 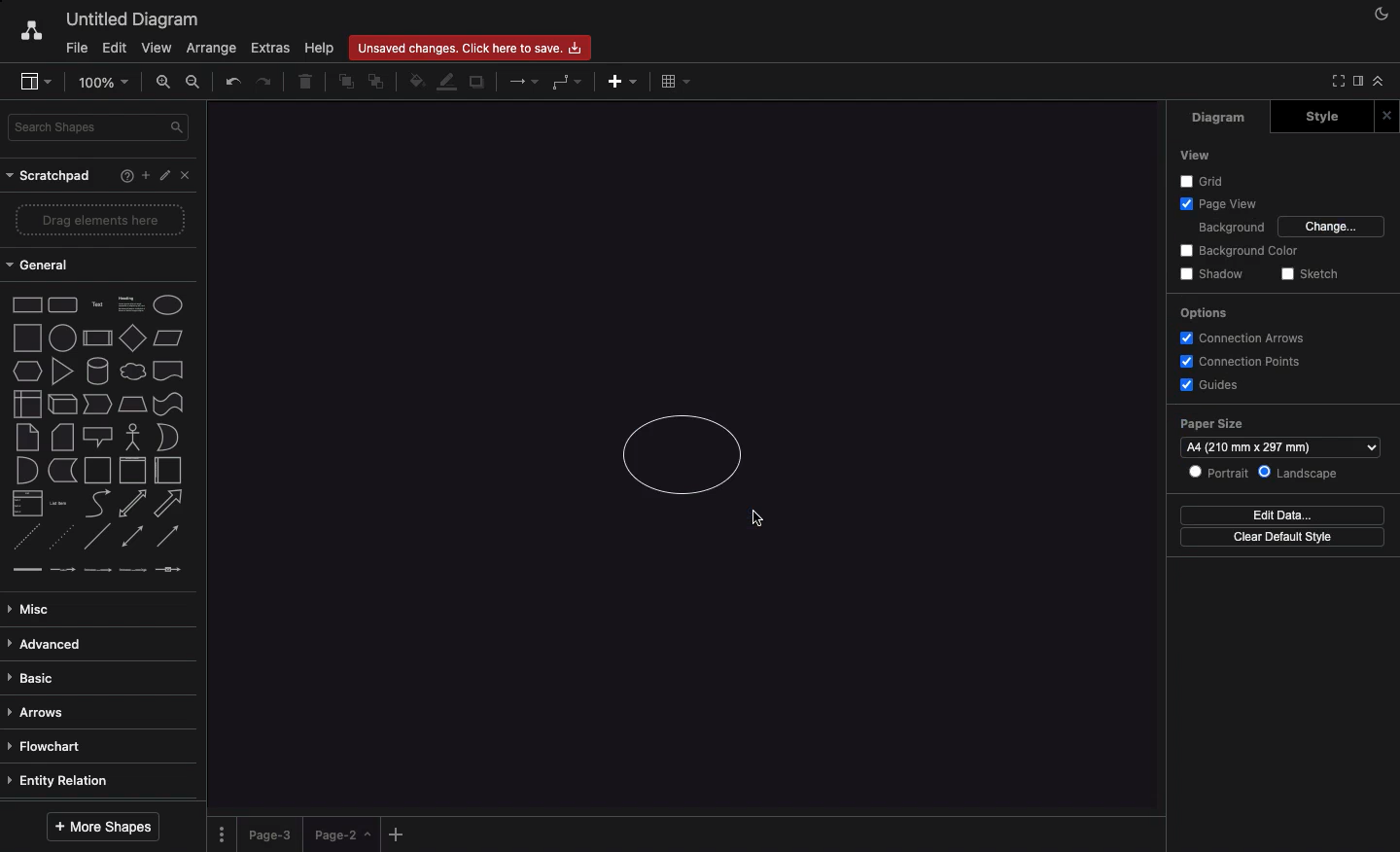 I want to click on internal storage, so click(x=28, y=404).